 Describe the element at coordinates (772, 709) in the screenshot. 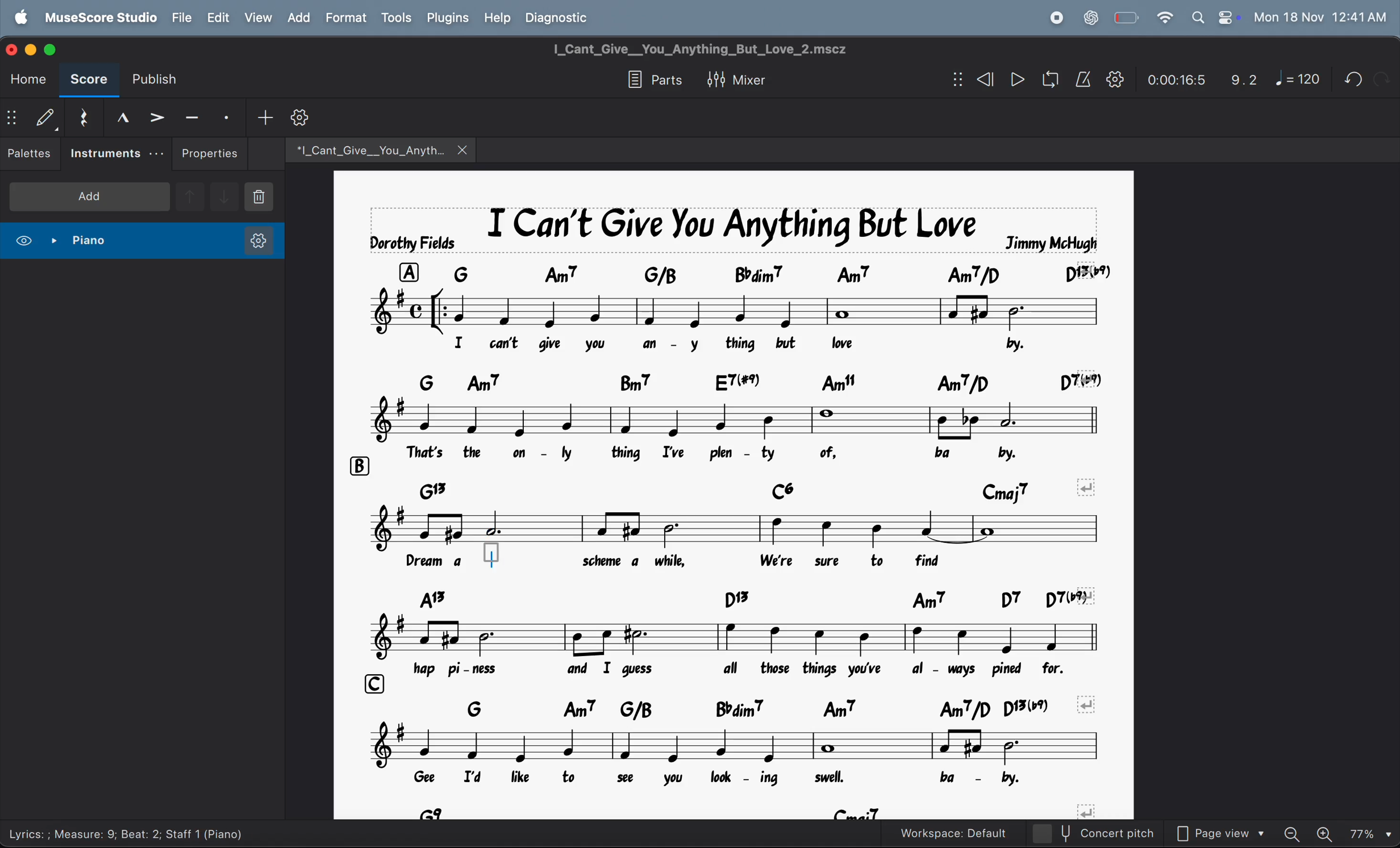

I see `chord symbols` at that location.